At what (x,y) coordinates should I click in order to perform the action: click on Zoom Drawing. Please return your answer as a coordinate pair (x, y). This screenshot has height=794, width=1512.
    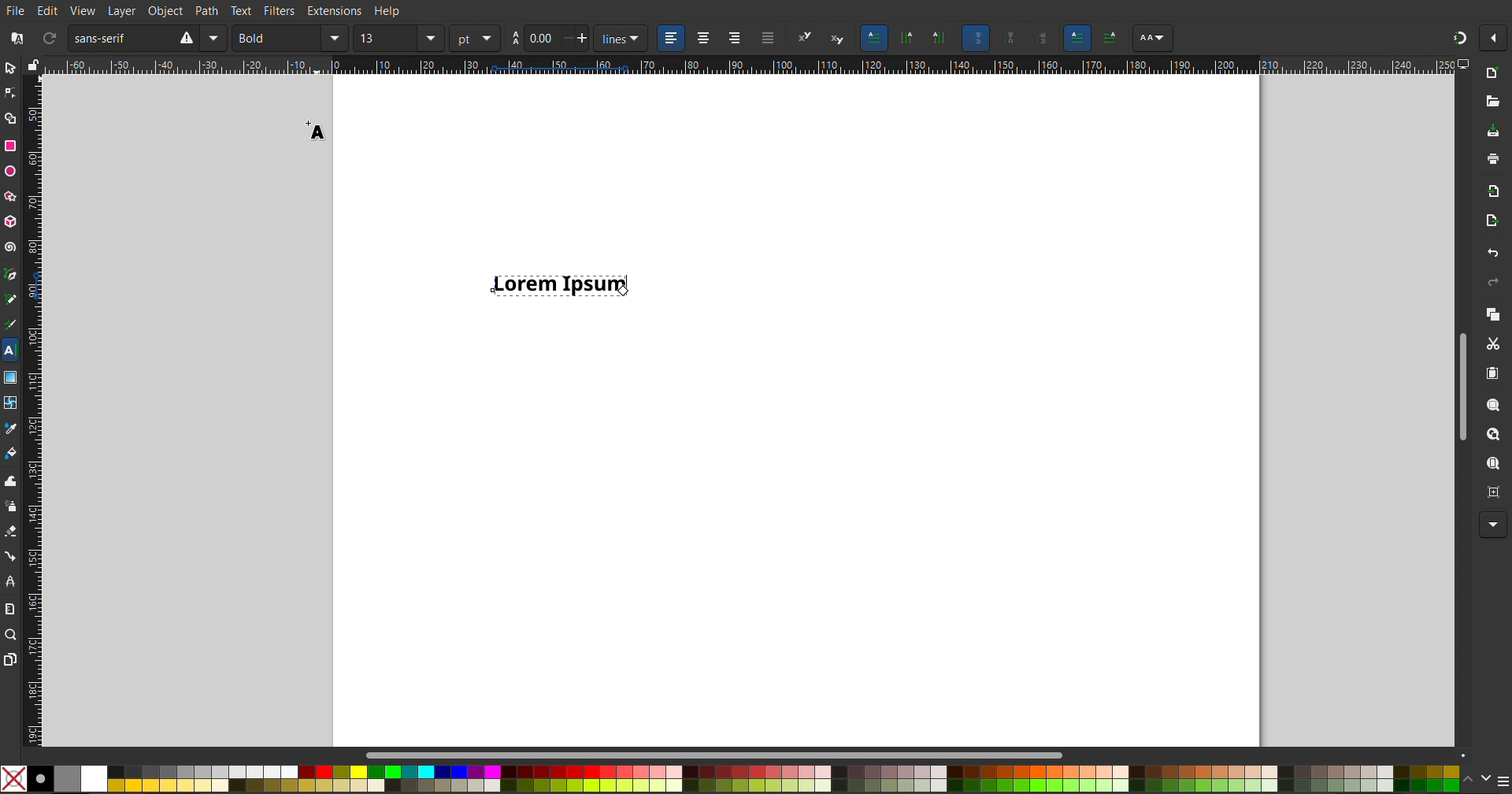
    Looking at the image, I should click on (1489, 435).